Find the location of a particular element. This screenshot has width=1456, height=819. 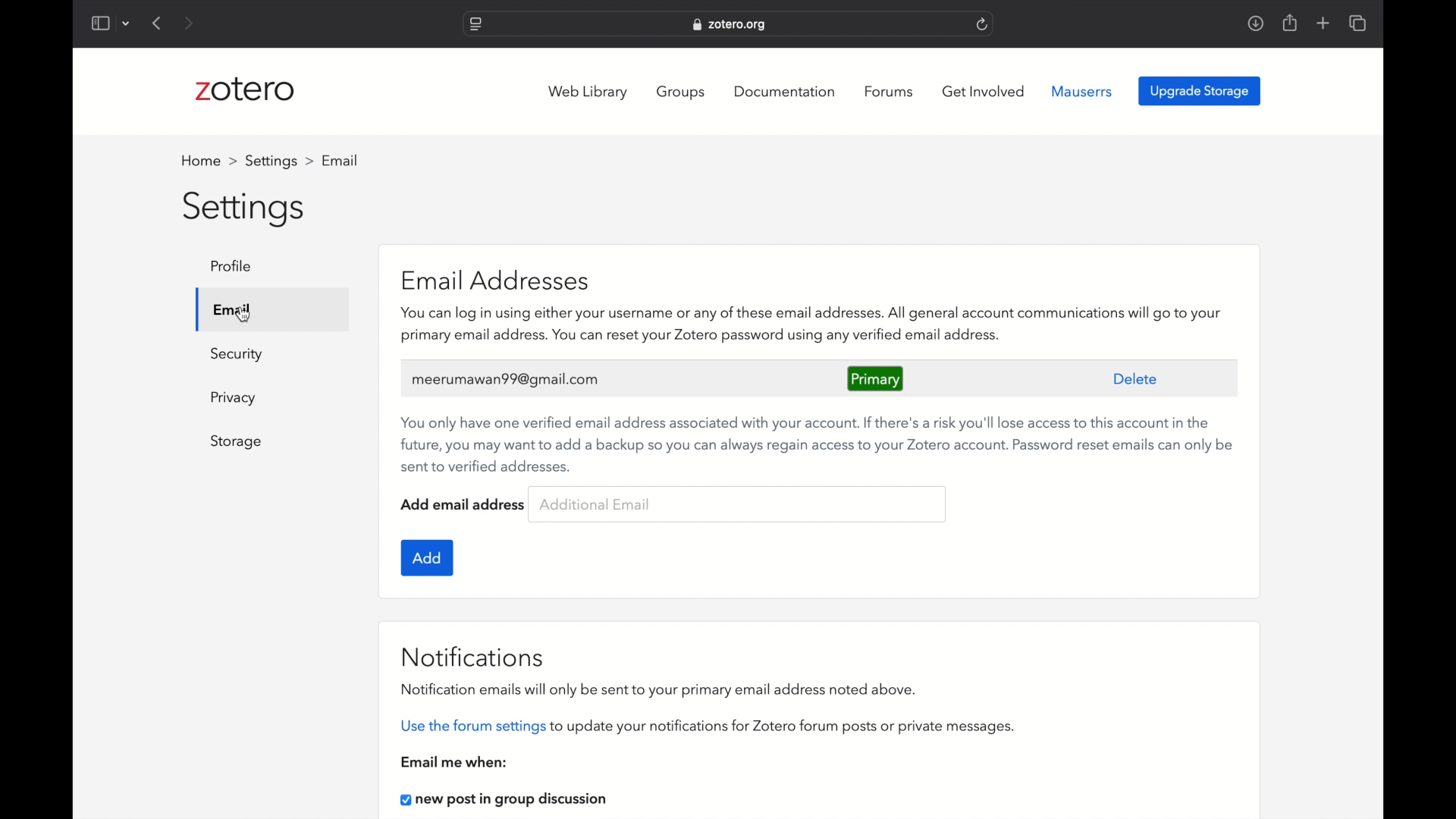

notifications is located at coordinates (472, 656).